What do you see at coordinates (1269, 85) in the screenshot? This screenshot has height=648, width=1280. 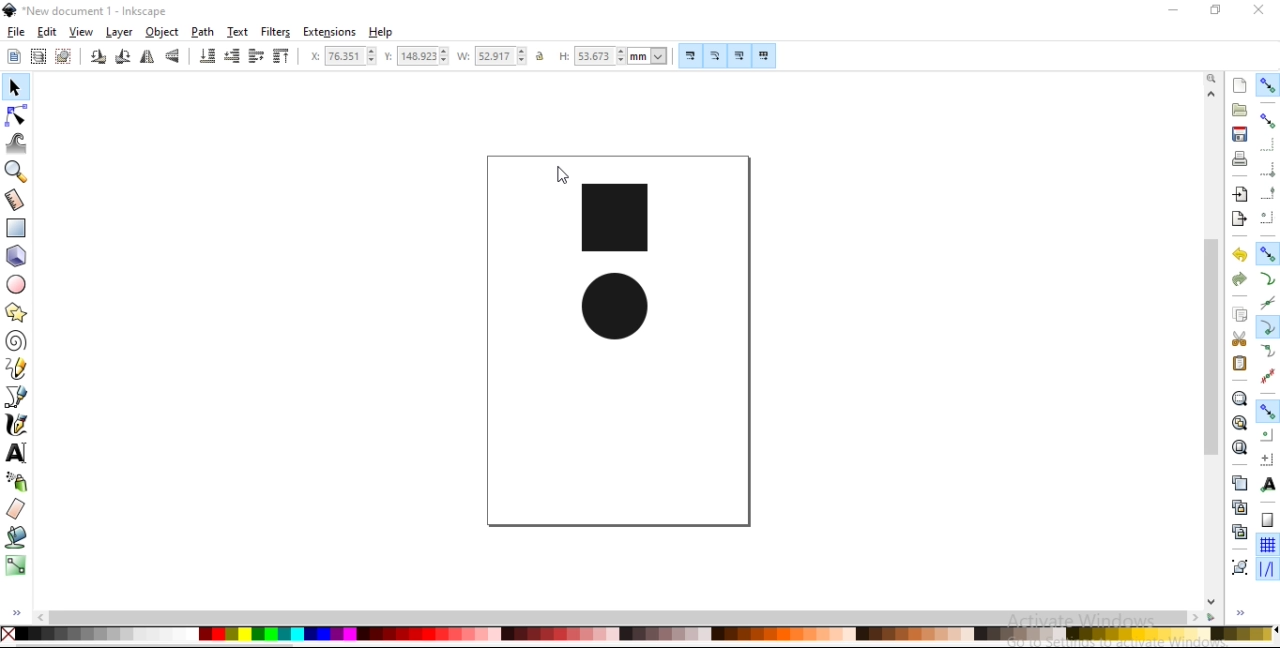 I see `enable snapping` at bounding box center [1269, 85].